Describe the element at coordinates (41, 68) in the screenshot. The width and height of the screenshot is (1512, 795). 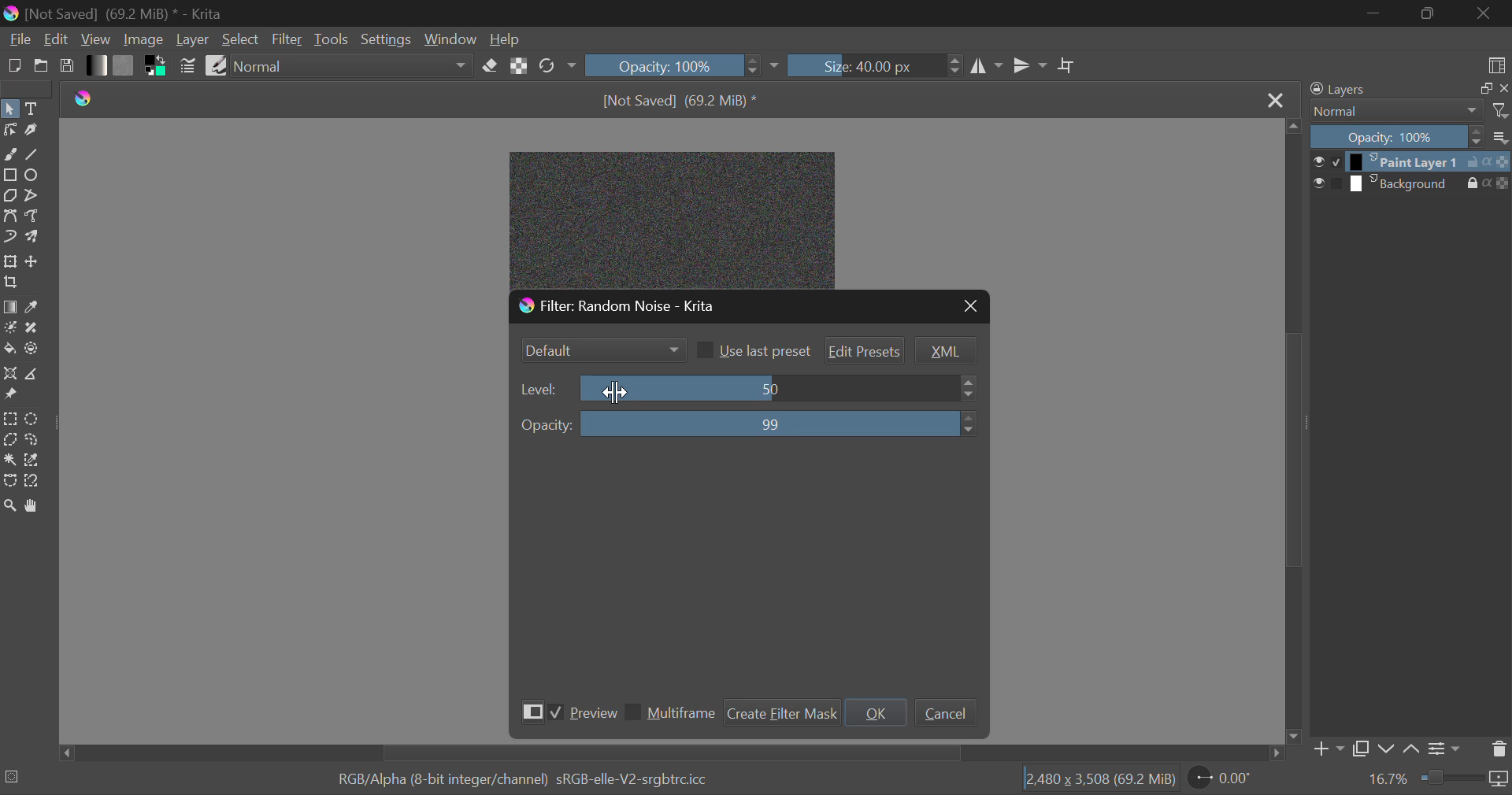
I see `Open` at that location.